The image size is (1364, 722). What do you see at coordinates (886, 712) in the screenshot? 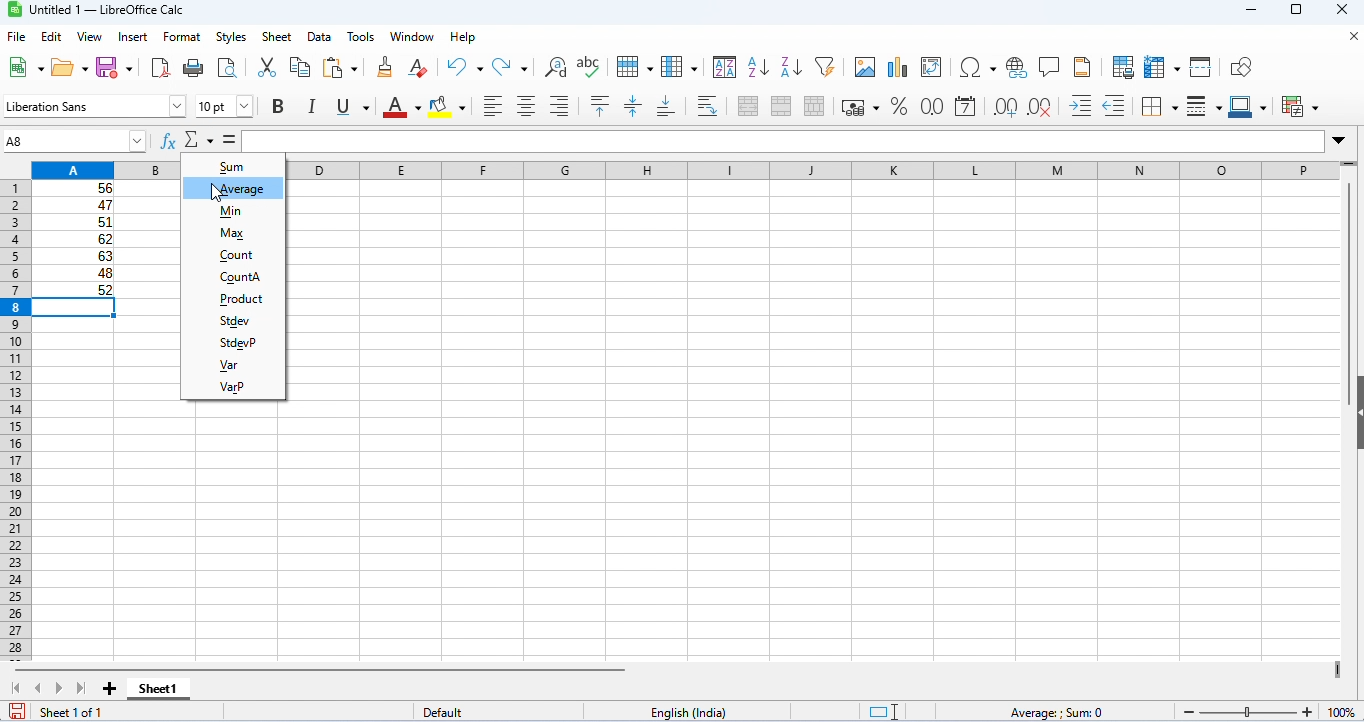
I see `standard selection` at bounding box center [886, 712].